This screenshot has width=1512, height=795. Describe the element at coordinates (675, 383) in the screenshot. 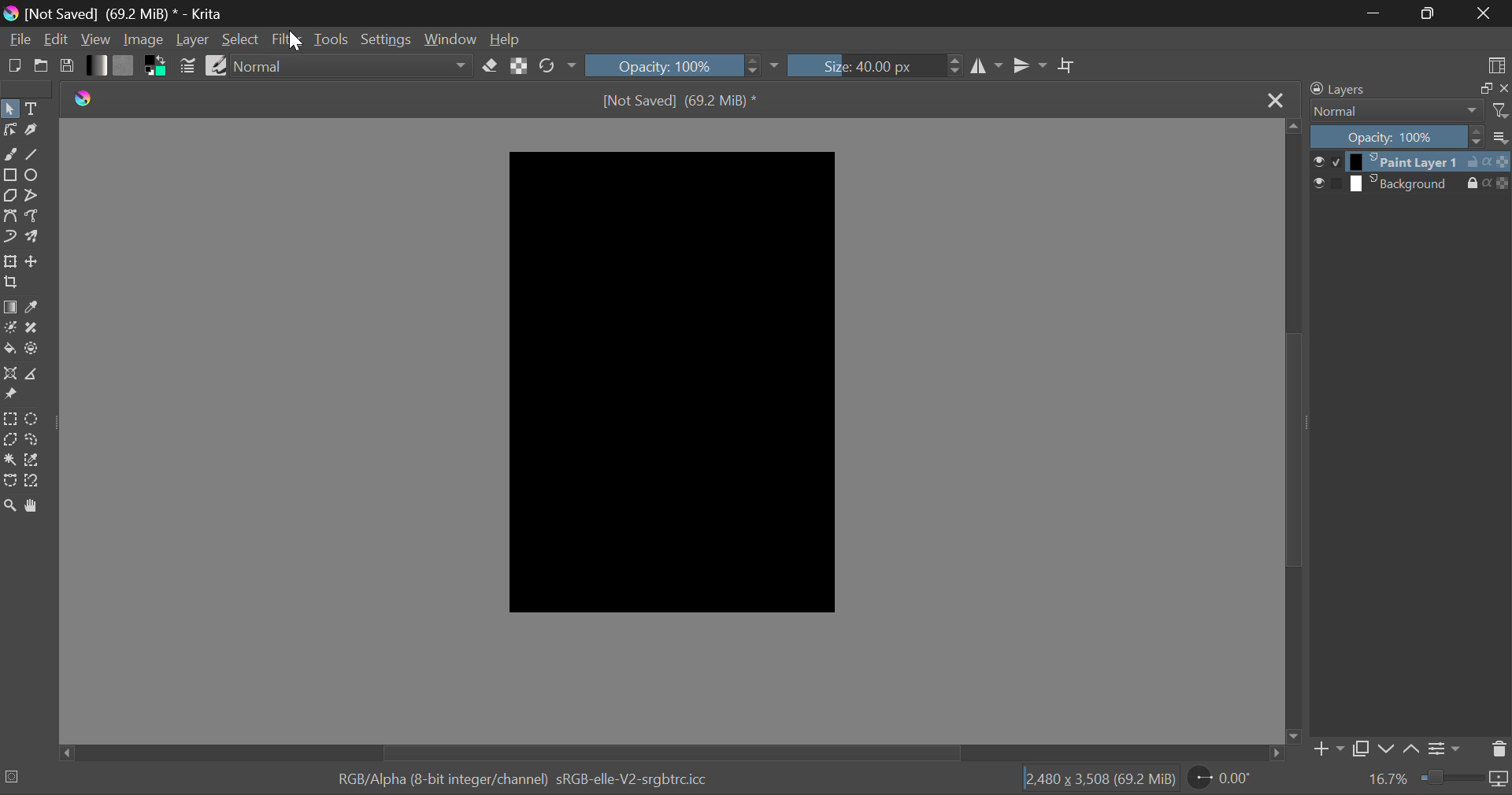

I see `Workspace with Black Background Set` at that location.